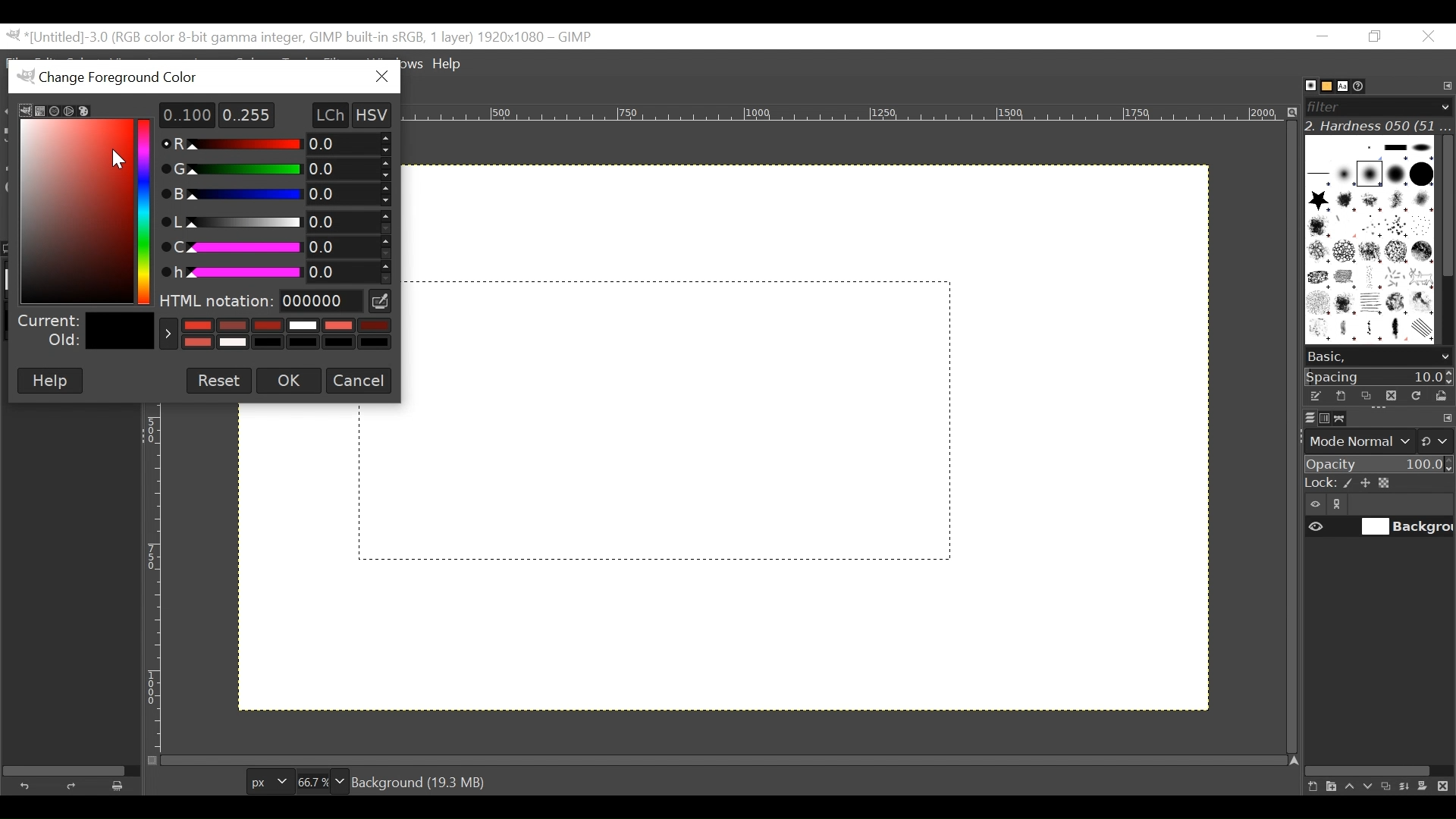 The width and height of the screenshot is (1456, 819). Describe the element at coordinates (302, 37) in the screenshot. I see `Gimp File Name` at that location.